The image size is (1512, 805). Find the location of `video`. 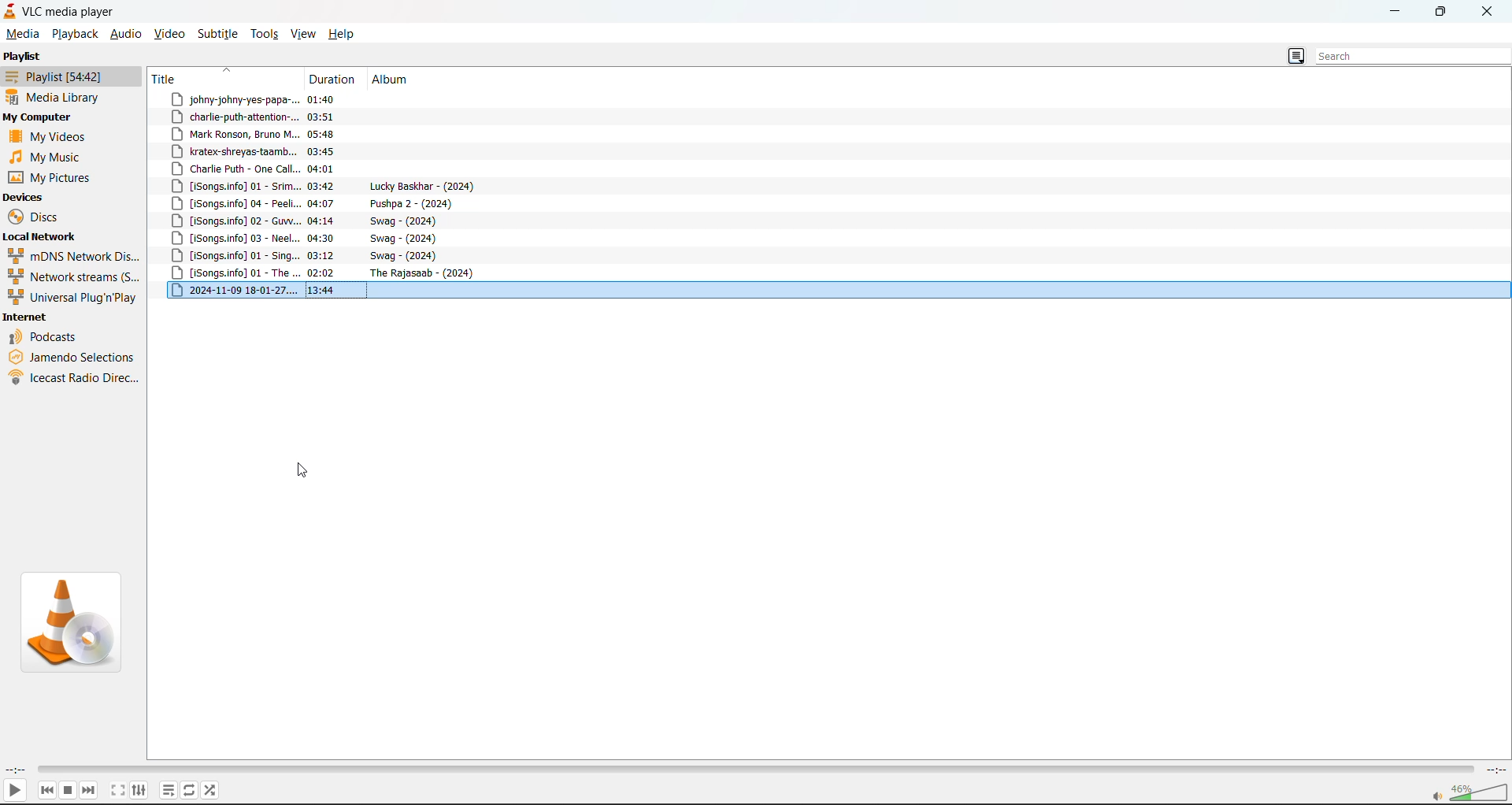

video is located at coordinates (172, 33).